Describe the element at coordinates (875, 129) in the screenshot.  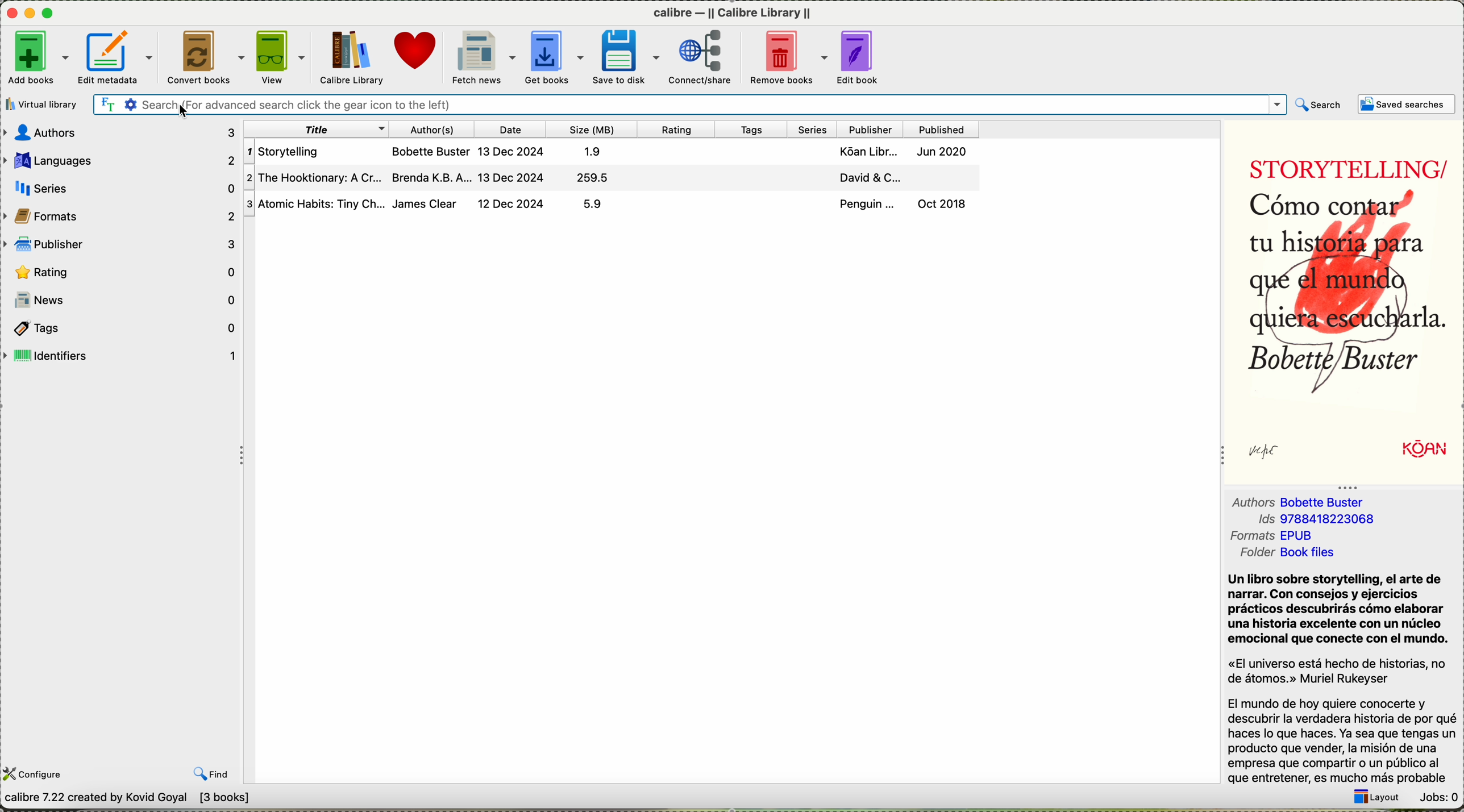
I see `publisher` at that location.